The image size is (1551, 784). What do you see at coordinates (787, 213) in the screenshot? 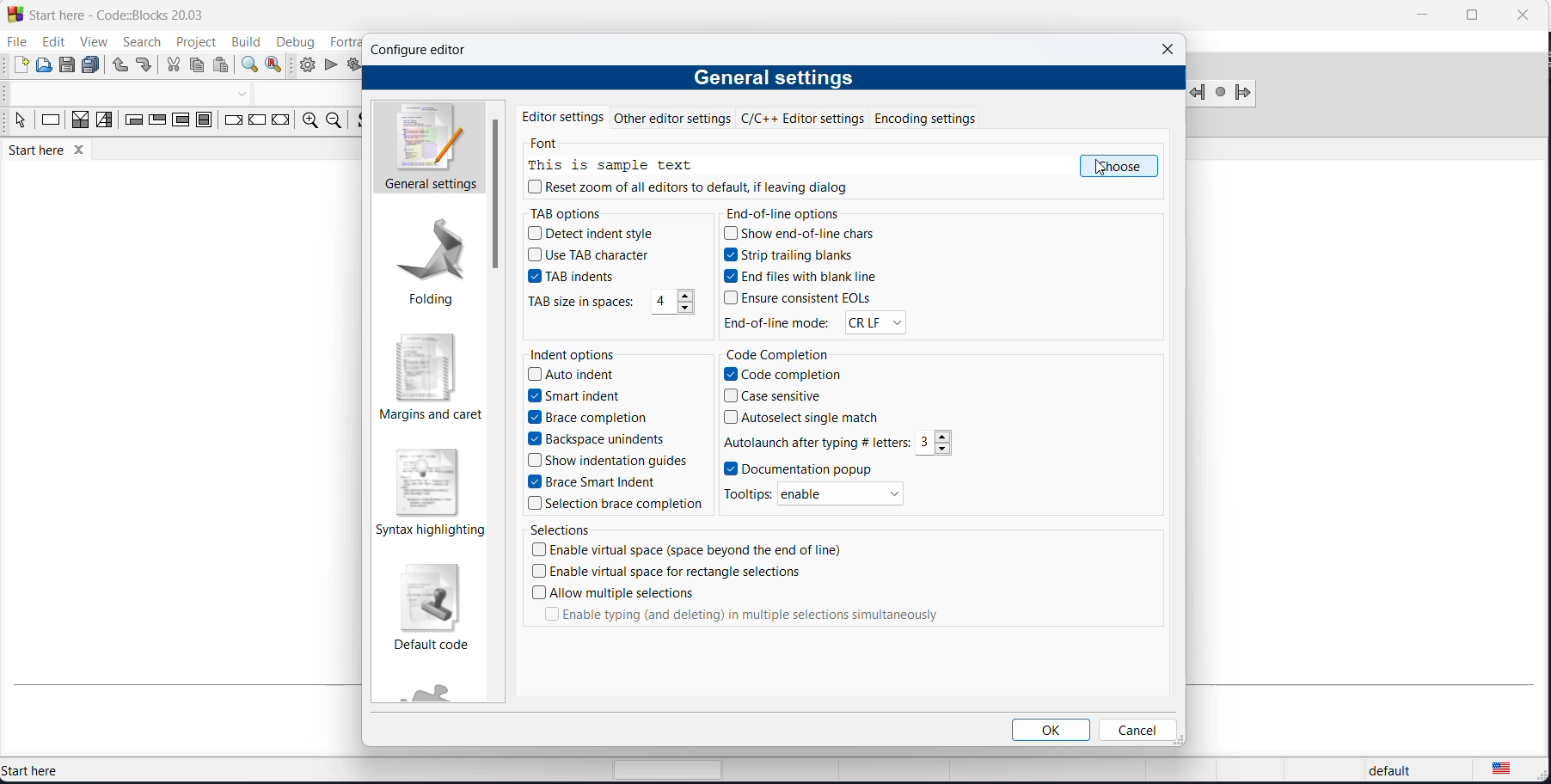
I see `end of line options` at bounding box center [787, 213].